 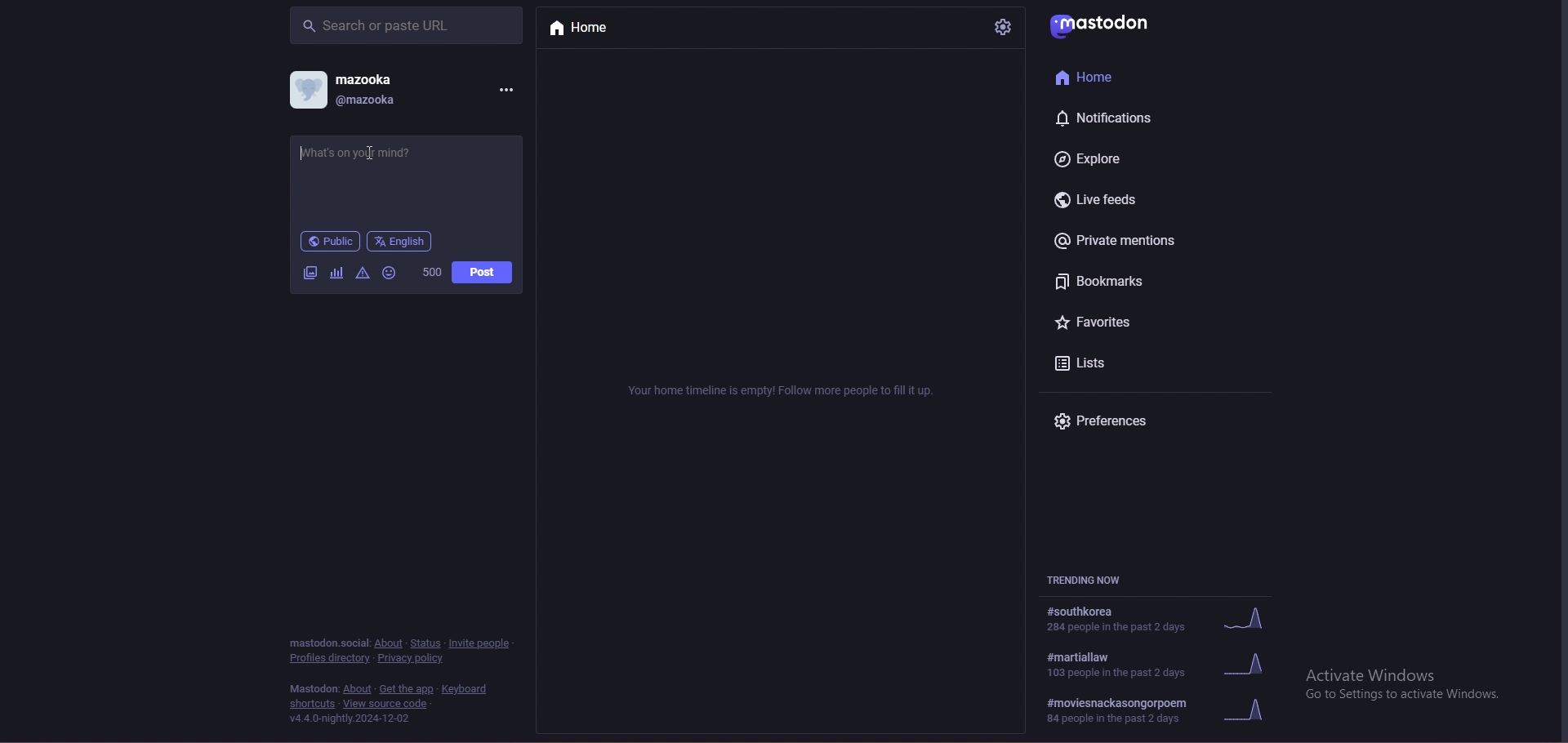 What do you see at coordinates (1145, 364) in the screenshot?
I see `lists` at bounding box center [1145, 364].